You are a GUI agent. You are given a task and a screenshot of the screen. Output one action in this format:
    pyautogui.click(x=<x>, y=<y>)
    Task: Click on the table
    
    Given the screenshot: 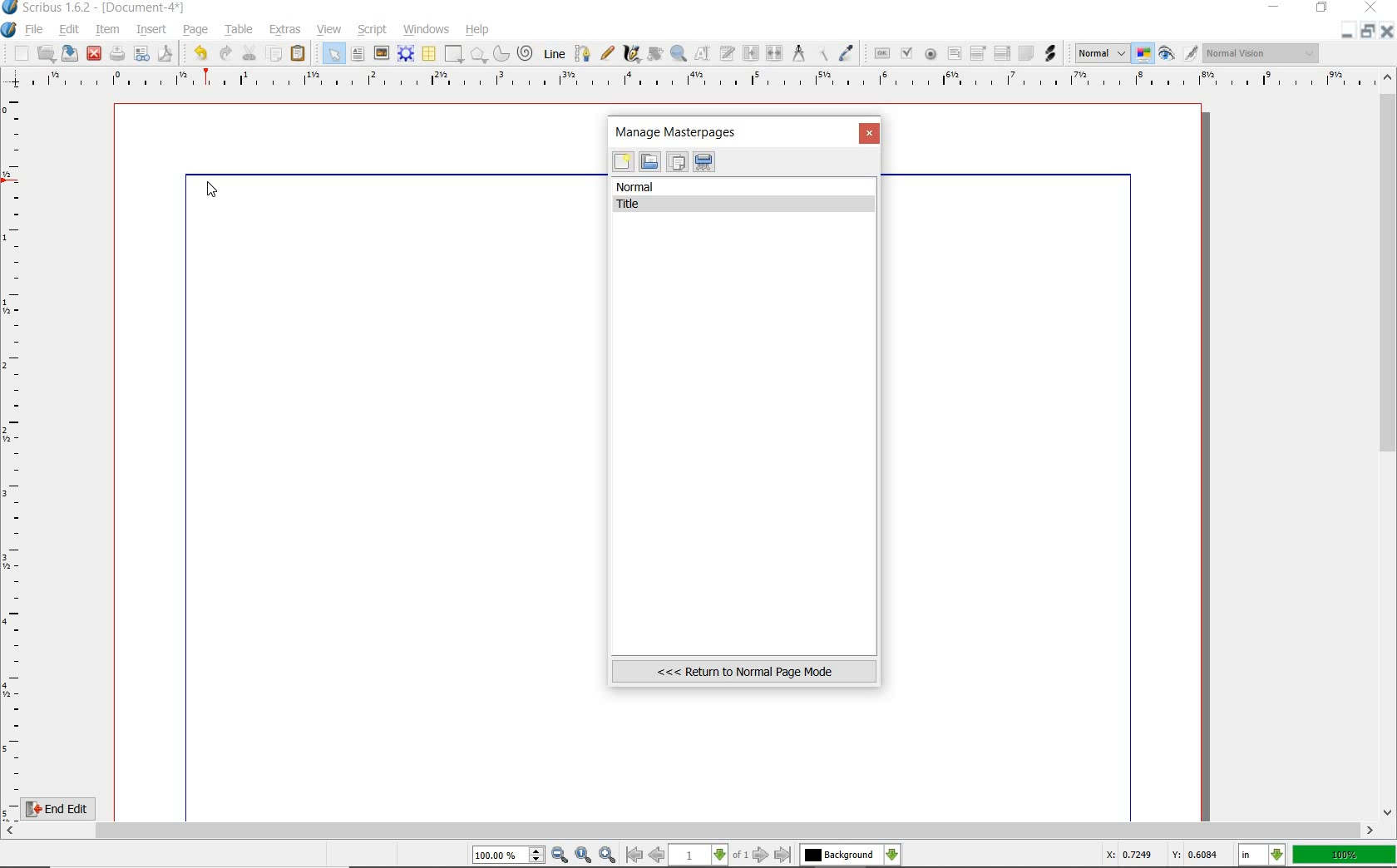 What is the action you would take?
    pyautogui.click(x=236, y=29)
    